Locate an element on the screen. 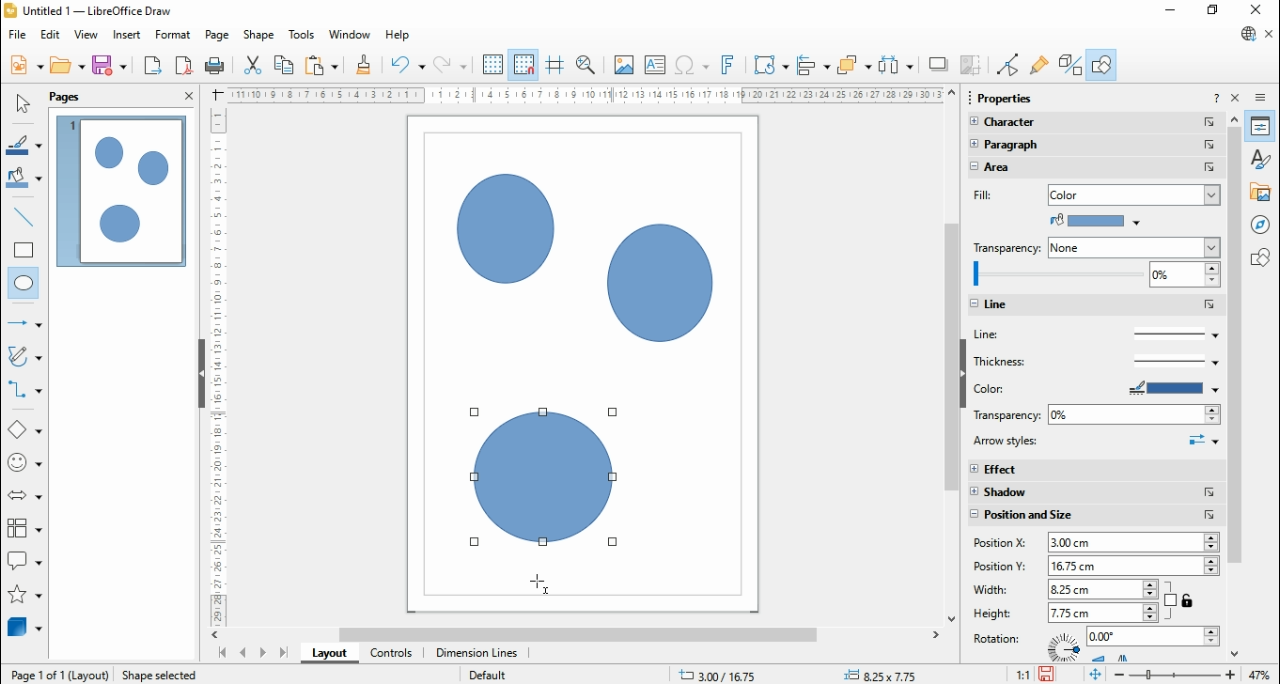  help about this sidebar deck is located at coordinates (1216, 97).